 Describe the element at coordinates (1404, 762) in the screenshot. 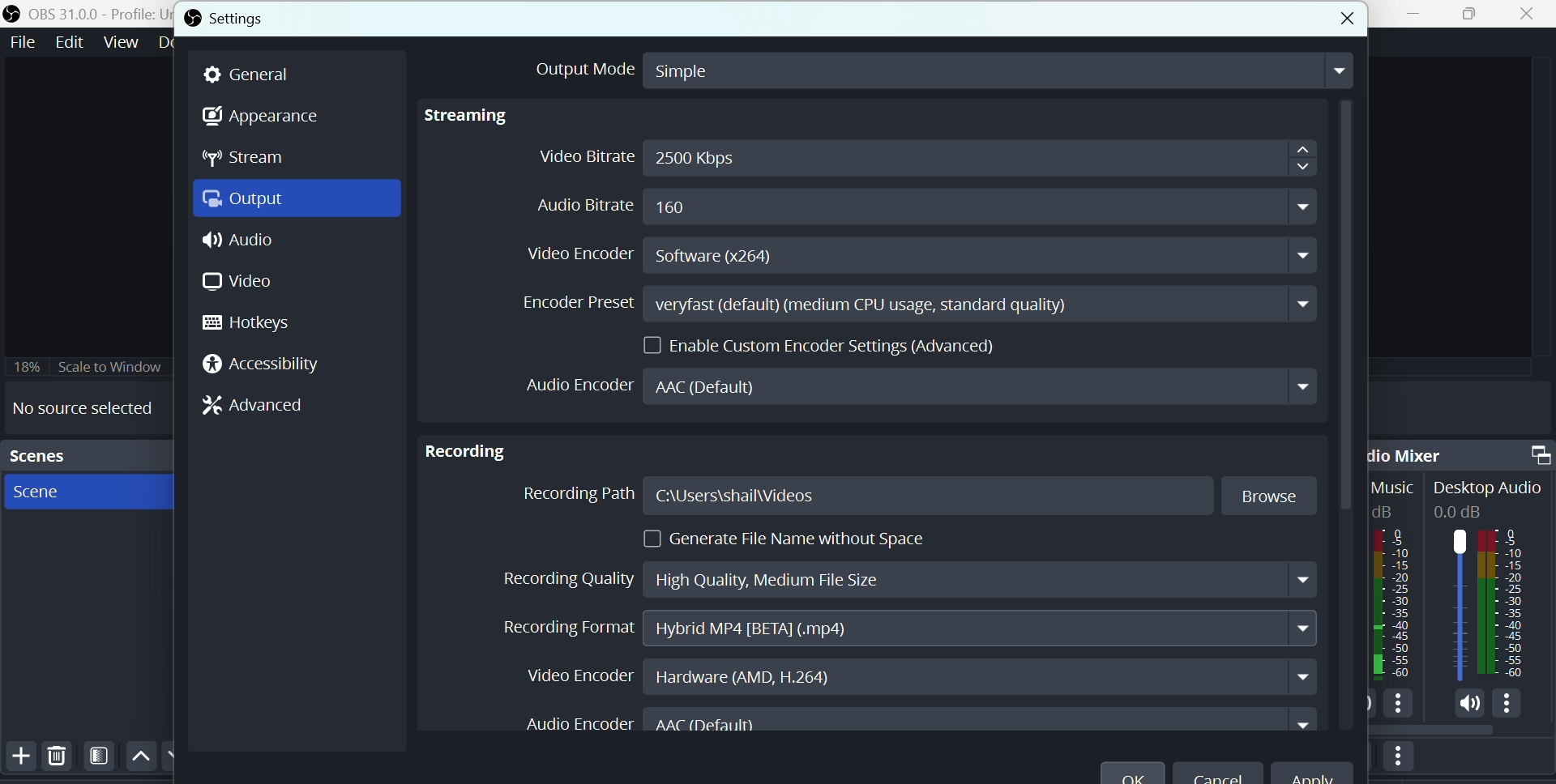

I see `More options` at that location.